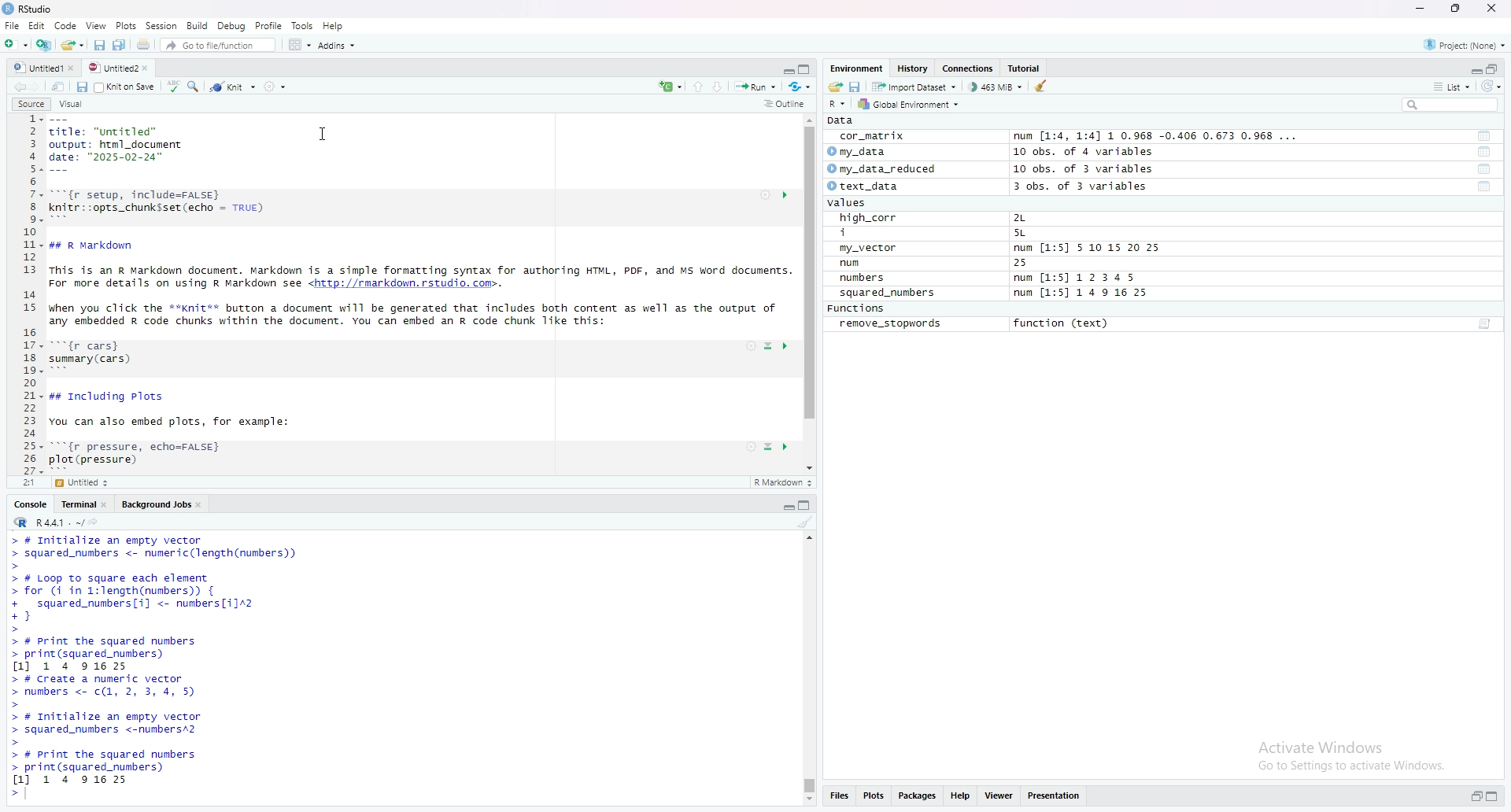 The image size is (1511, 812). Describe the element at coordinates (869, 186) in the screenshot. I see `text_data` at that location.